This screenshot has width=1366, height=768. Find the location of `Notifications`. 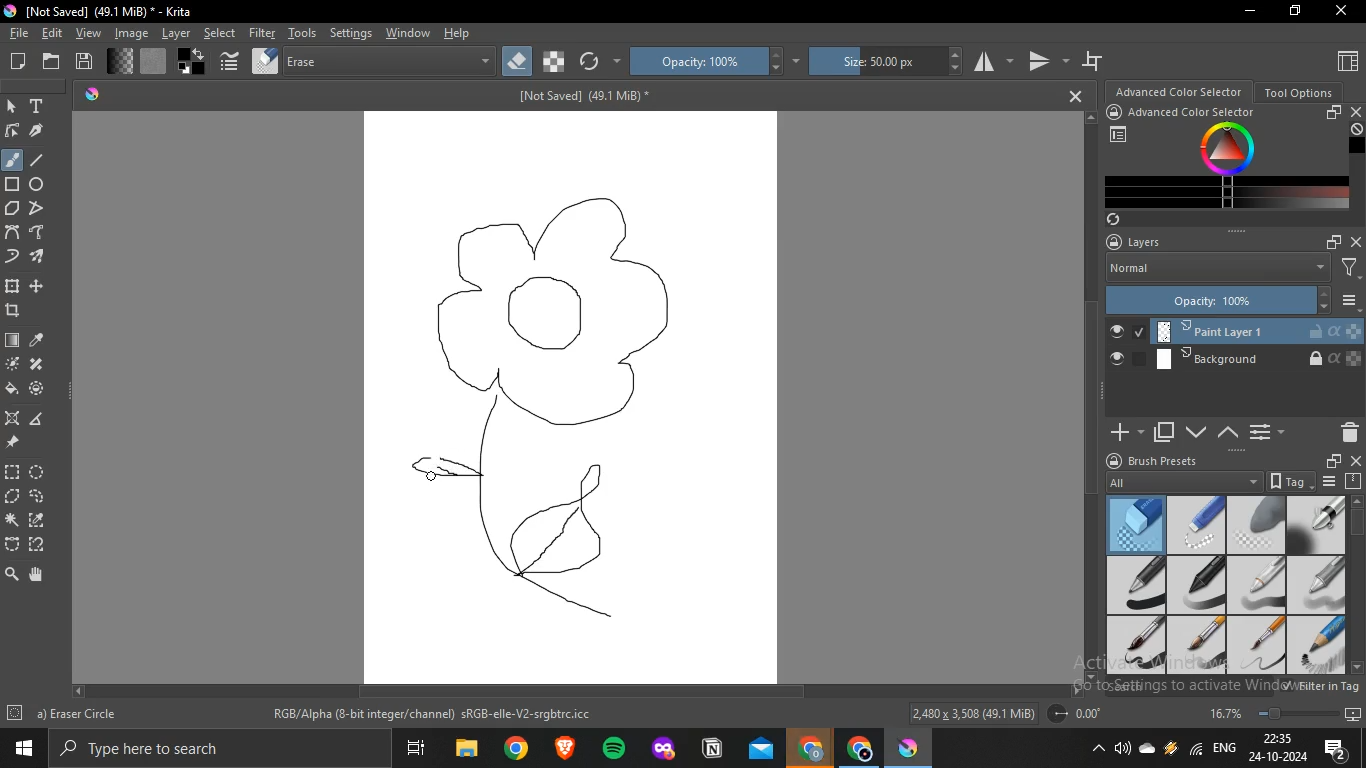

Notifications is located at coordinates (1336, 747).